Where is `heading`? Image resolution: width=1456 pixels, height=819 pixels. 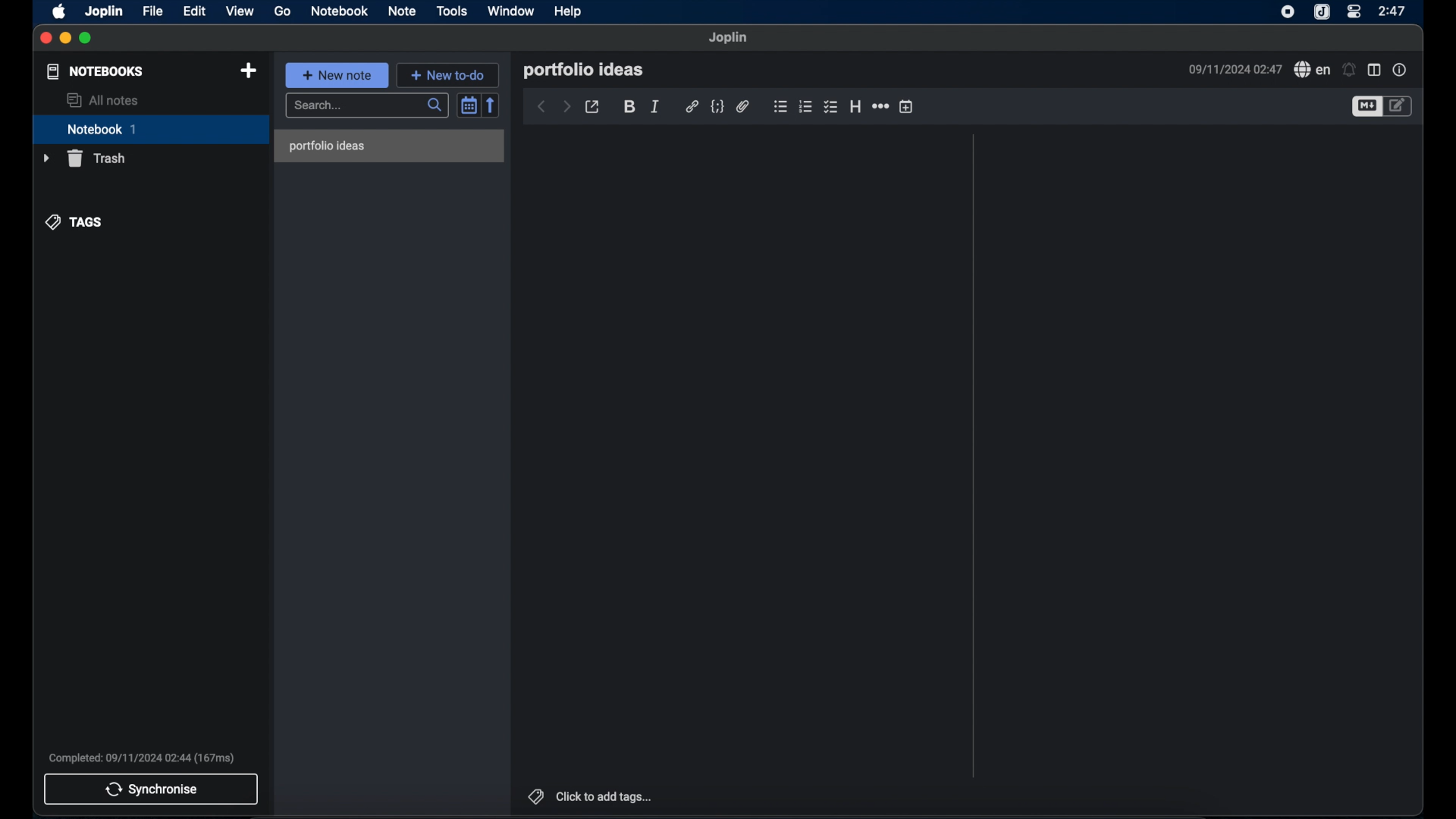 heading is located at coordinates (855, 106).